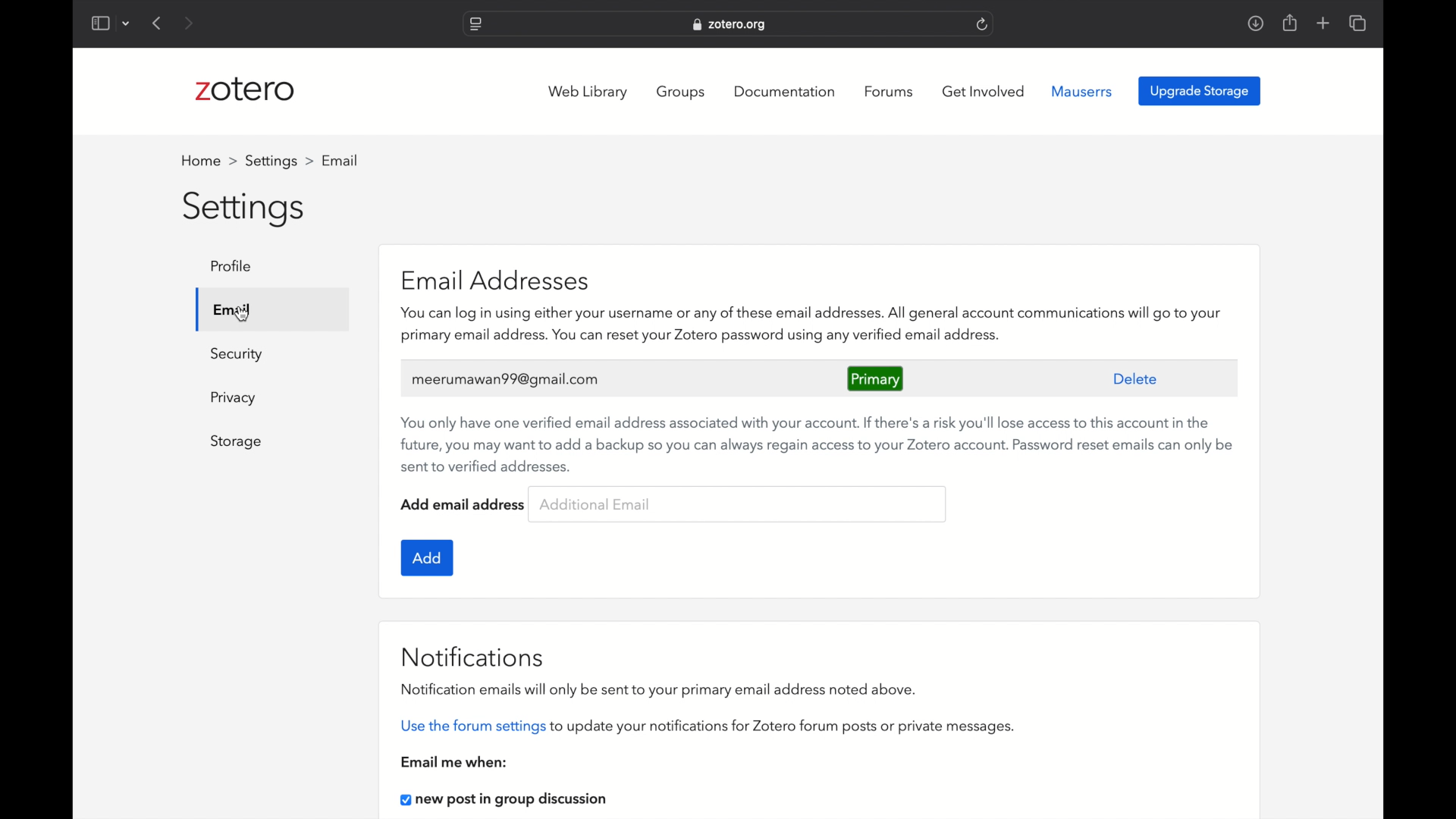  I want to click on dropdown, so click(126, 25).